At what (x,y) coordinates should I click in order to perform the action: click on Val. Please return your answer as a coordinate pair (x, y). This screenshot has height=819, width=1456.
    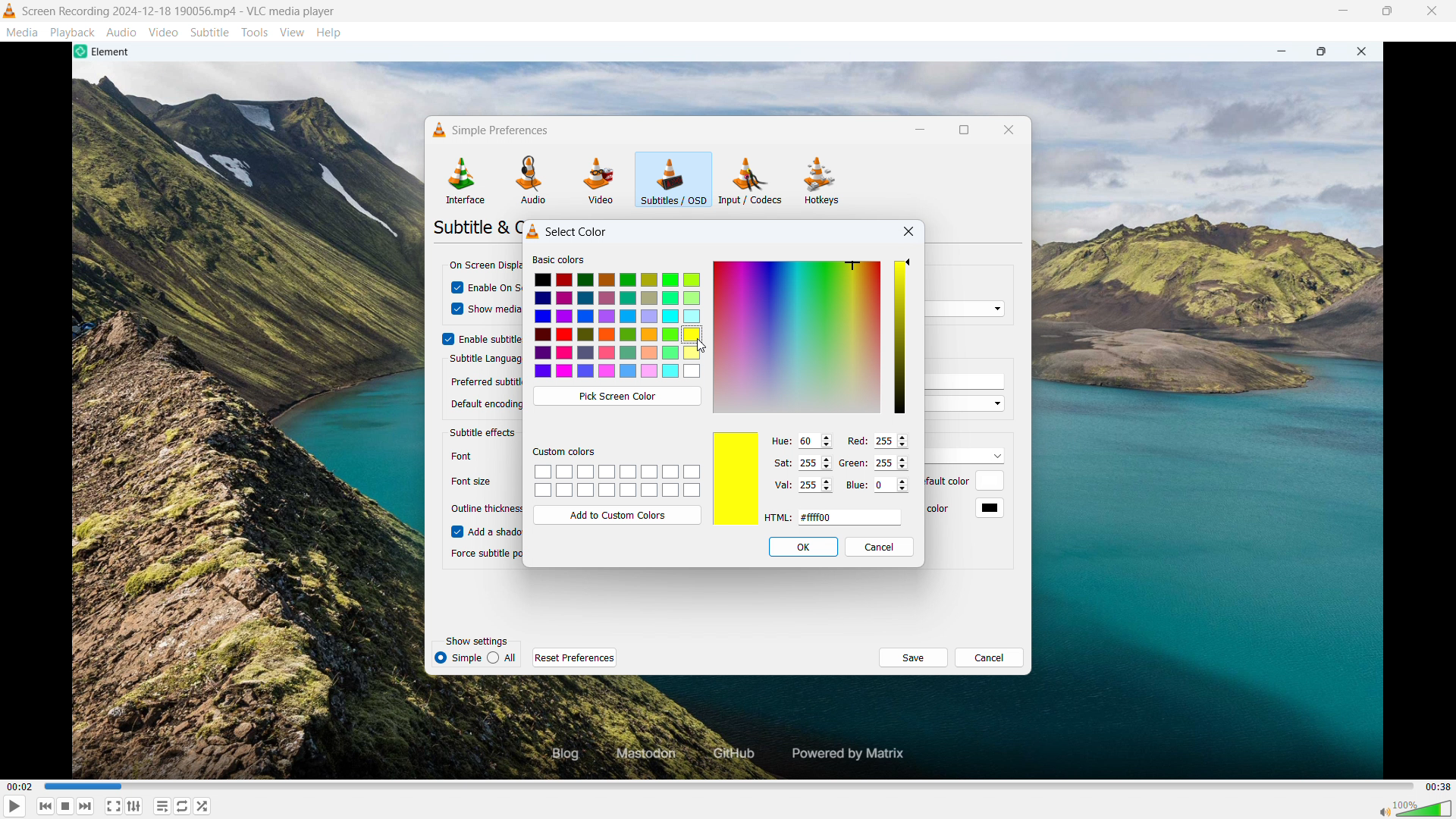
    Looking at the image, I should click on (781, 485).